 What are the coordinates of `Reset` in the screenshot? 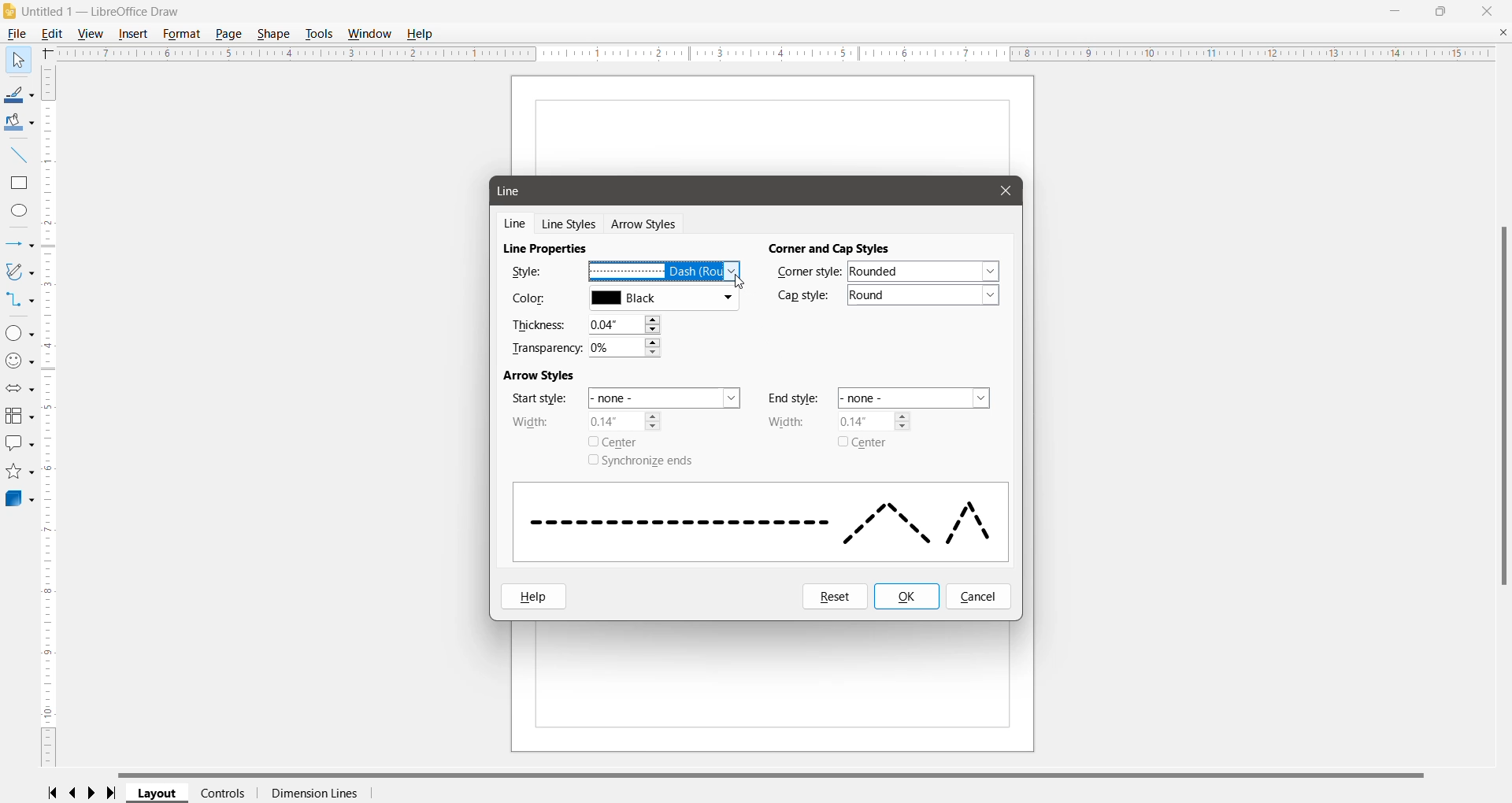 It's located at (835, 597).